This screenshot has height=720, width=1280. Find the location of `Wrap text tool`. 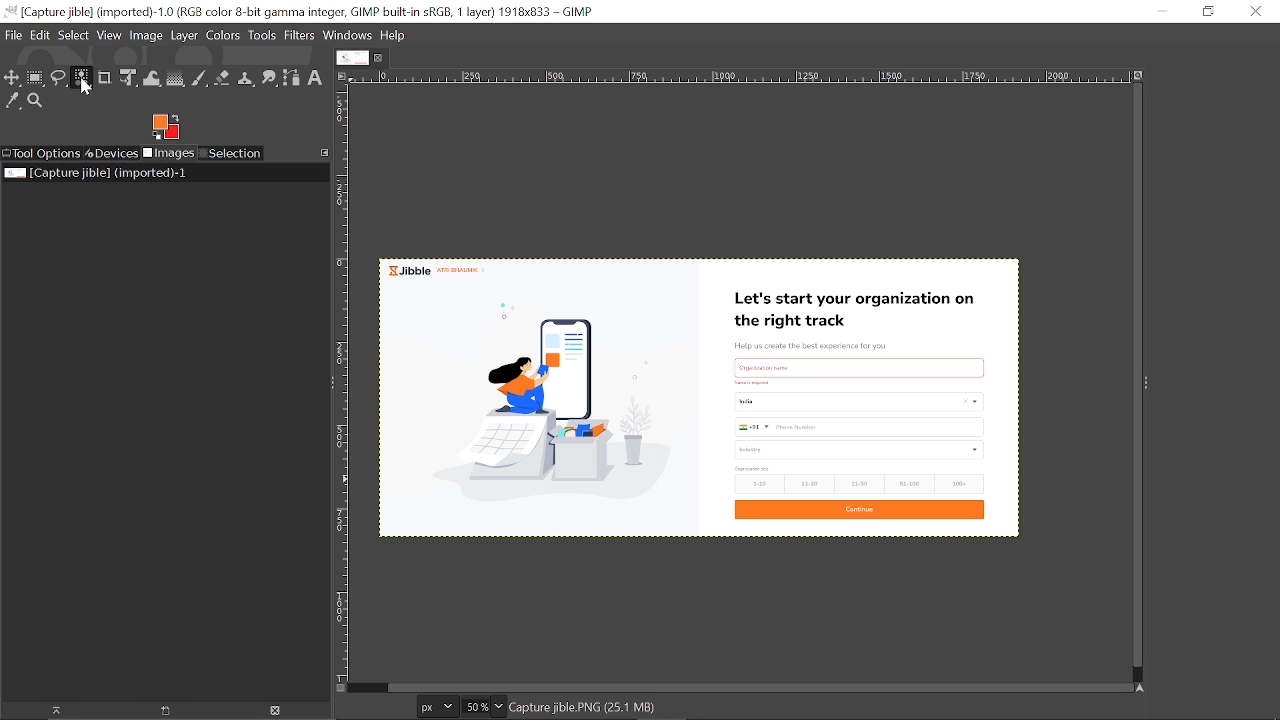

Wrap text tool is located at coordinates (152, 79).